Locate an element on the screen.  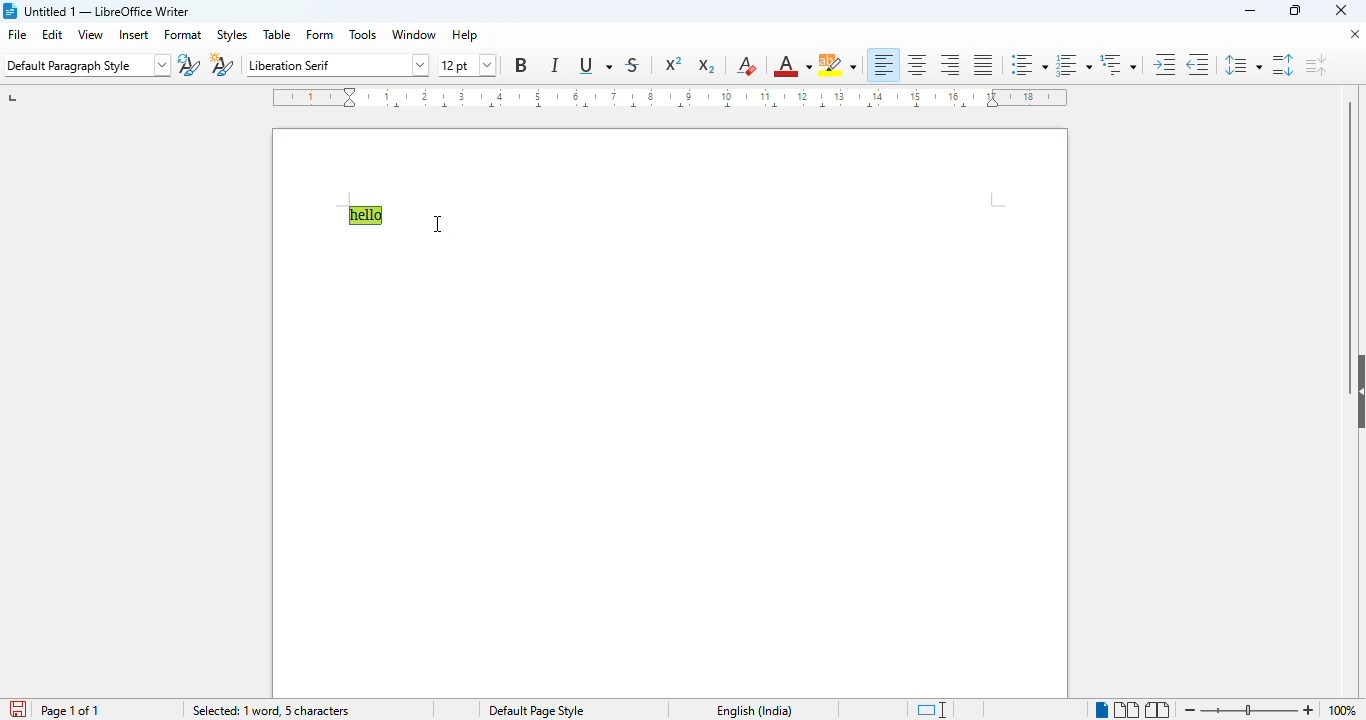
hello selected is located at coordinates (365, 215).